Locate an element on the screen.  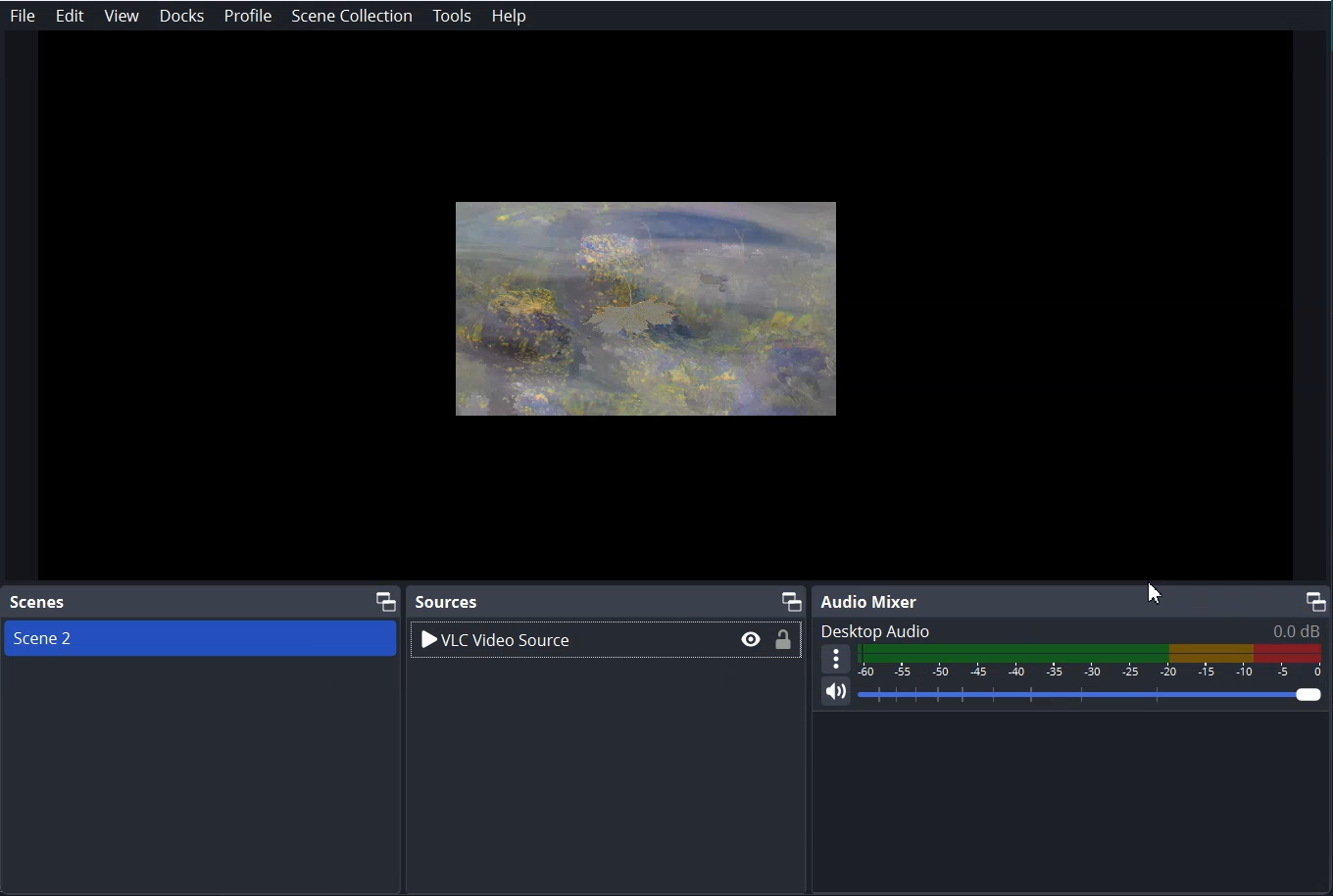
Maximize is located at coordinates (1319, 599).